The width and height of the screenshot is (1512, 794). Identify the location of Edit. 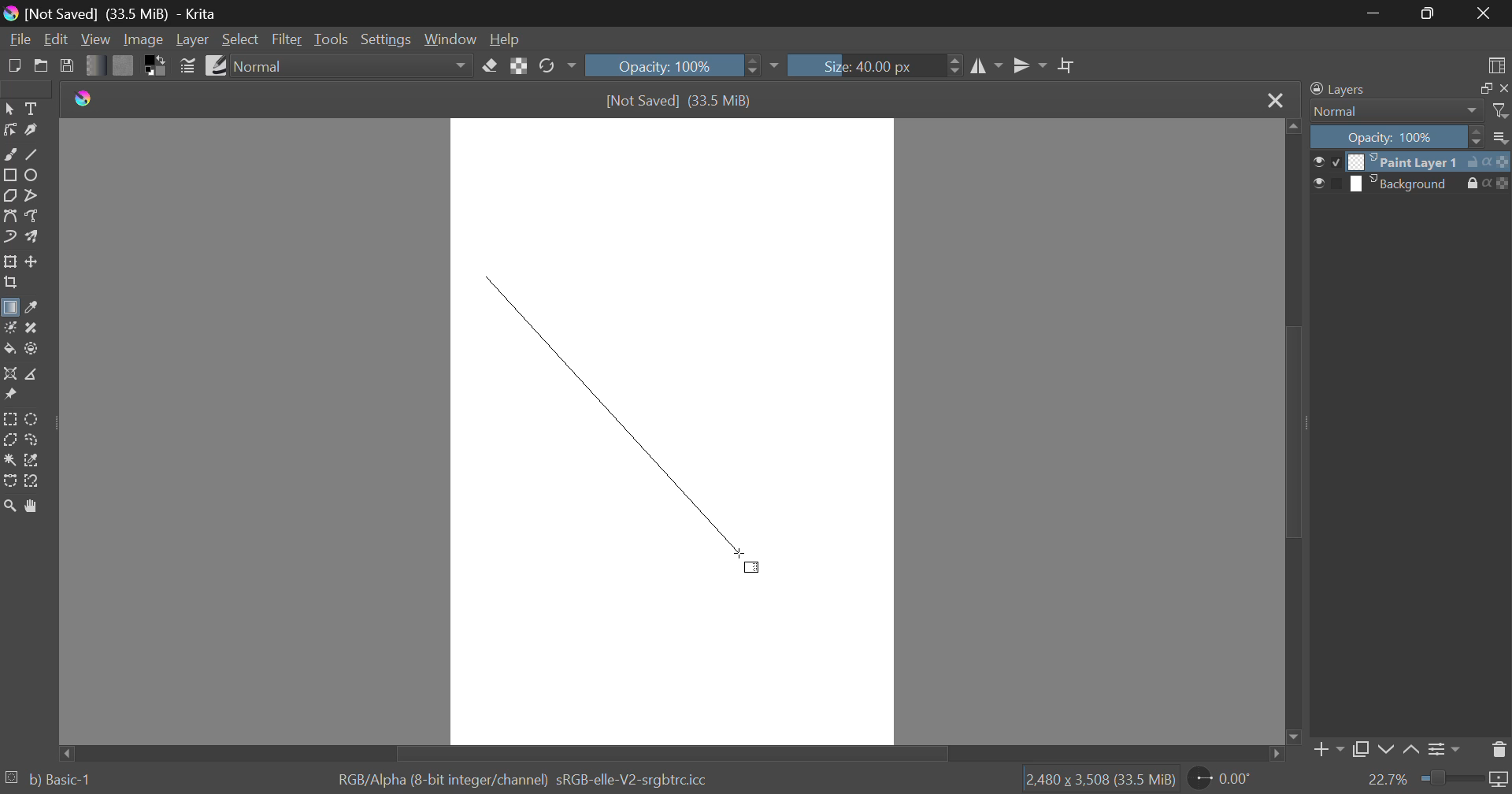
(57, 39).